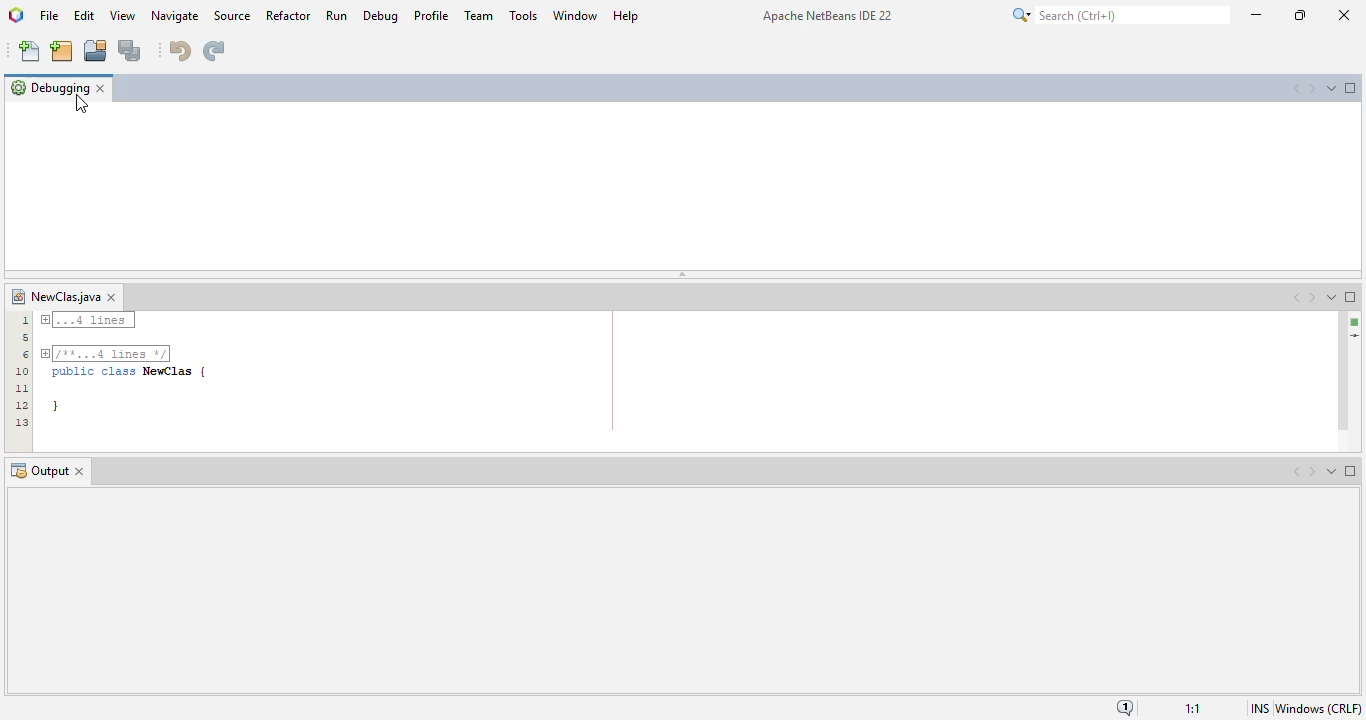 The width and height of the screenshot is (1366, 720). What do you see at coordinates (1355, 322) in the screenshot?
I see `no errors` at bounding box center [1355, 322].